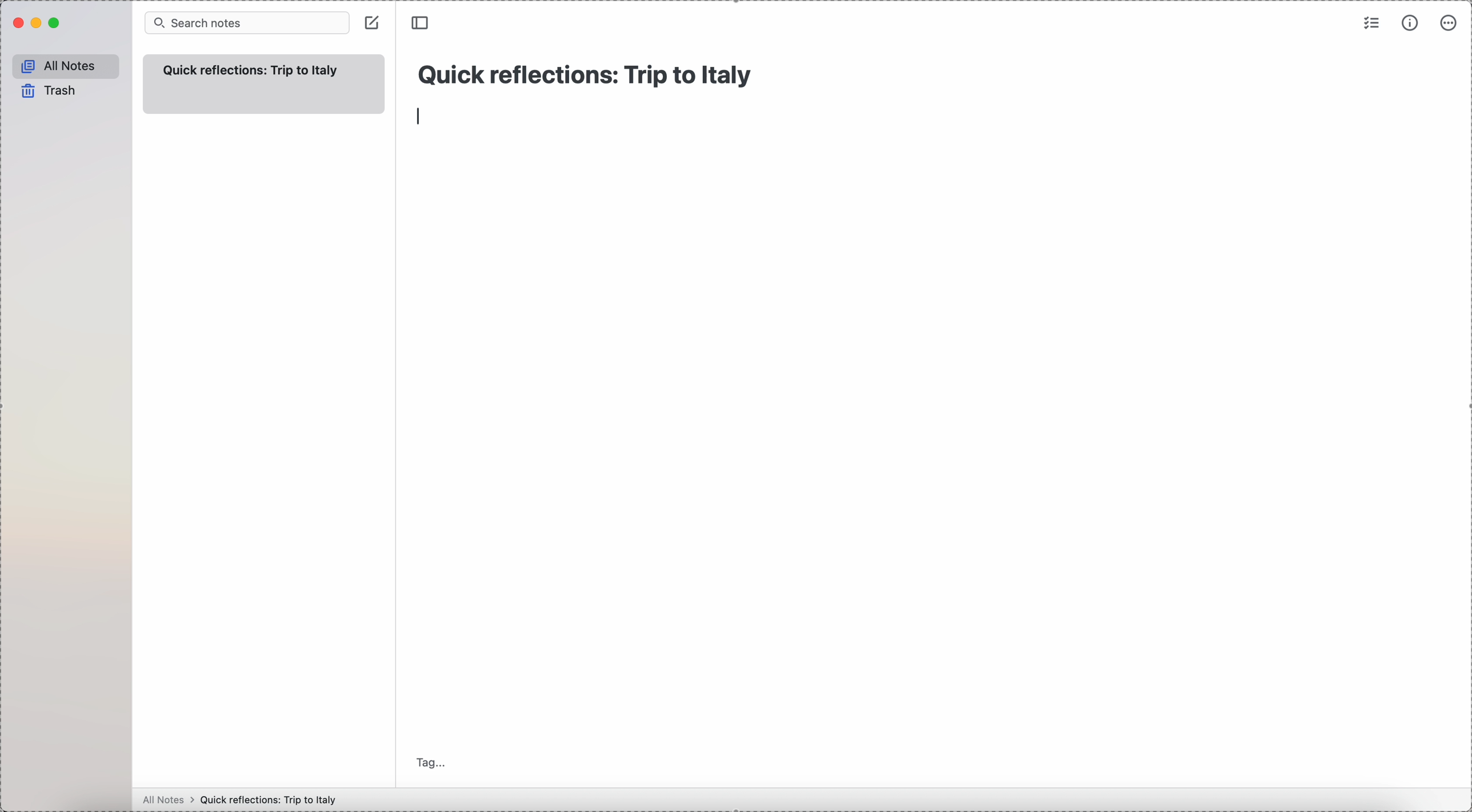 This screenshot has height=812, width=1472. Describe the element at coordinates (1411, 22) in the screenshot. I see `metrics` at that location.